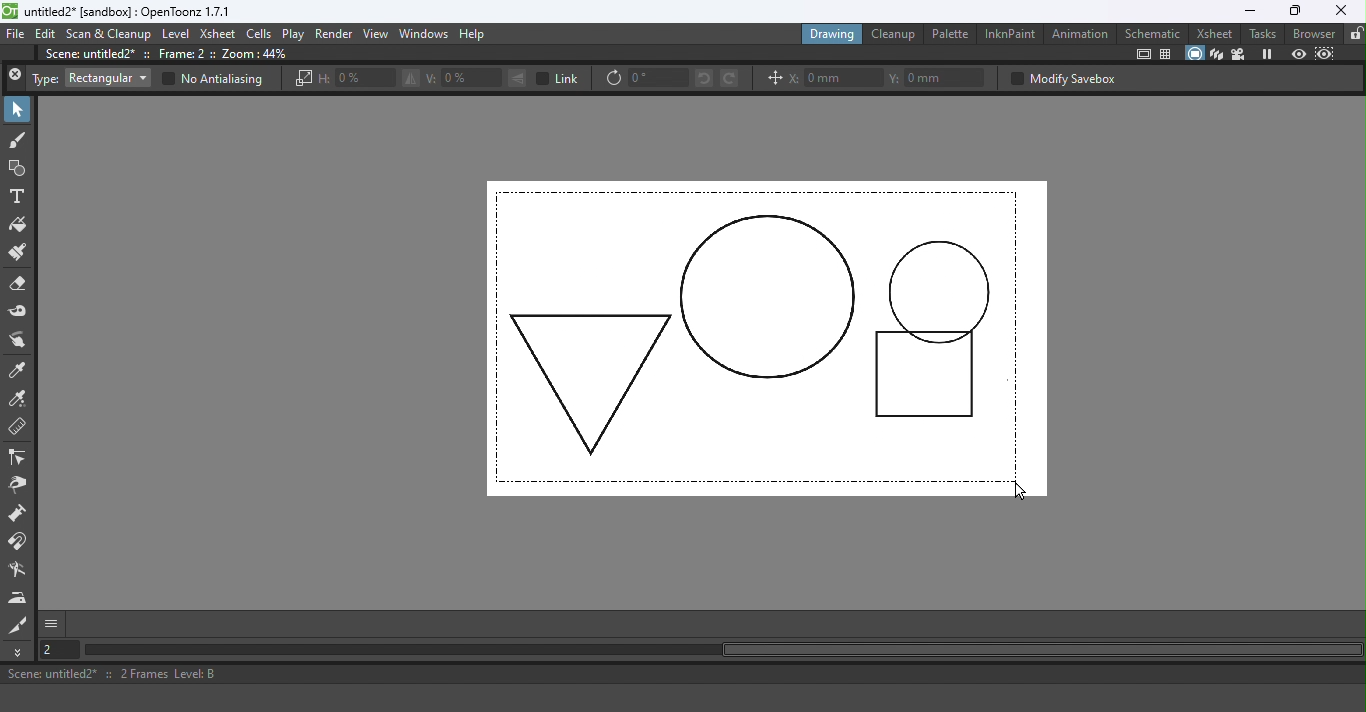 The height and width of the screenshot is (712, 1366). I want to click on X: 0mm, so click(835, 78).